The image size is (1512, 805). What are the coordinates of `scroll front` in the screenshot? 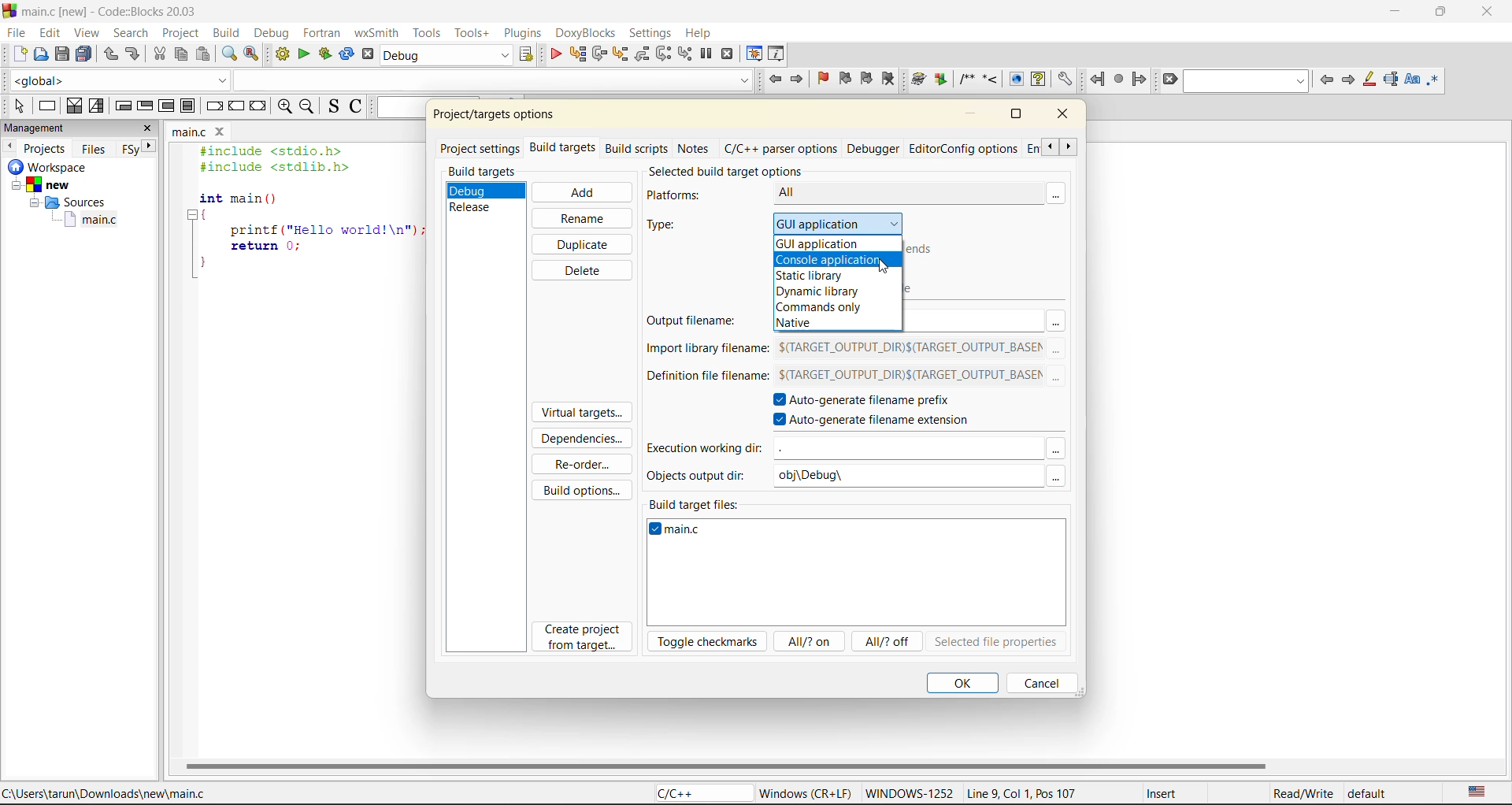 It's located at (1069, 149).